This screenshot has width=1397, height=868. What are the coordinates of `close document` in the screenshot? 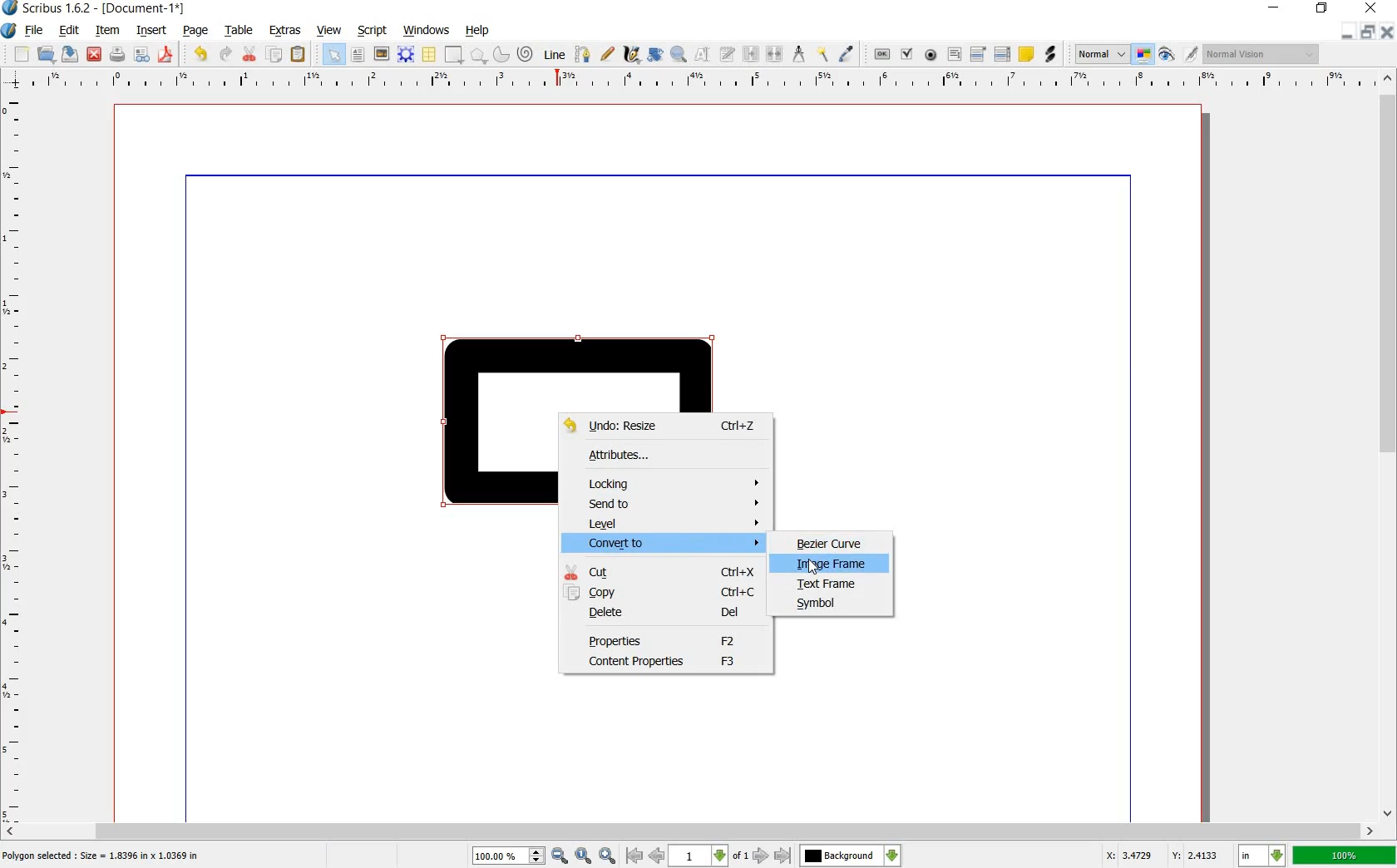 It's located at (1389, 30).